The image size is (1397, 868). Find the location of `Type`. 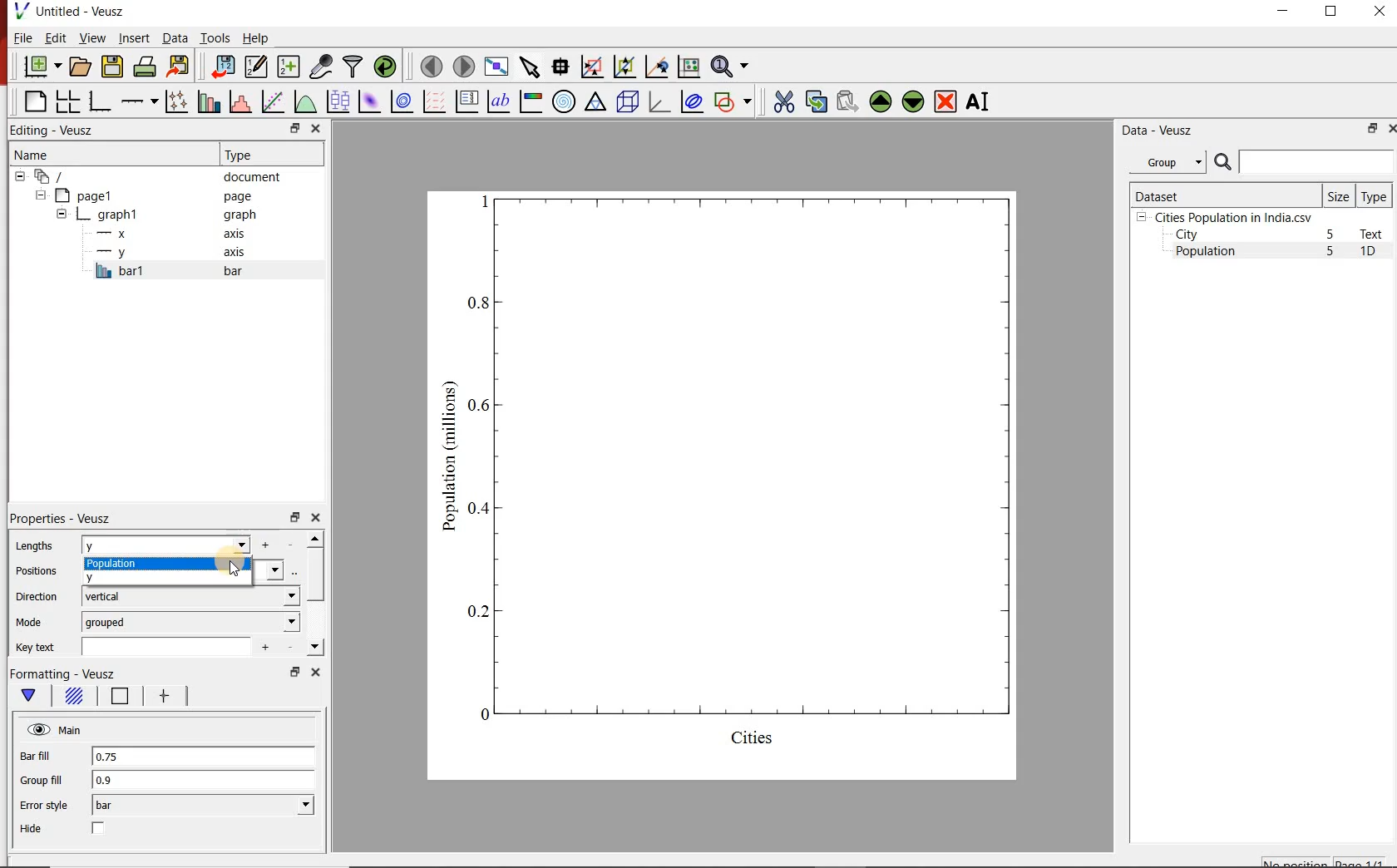

Type is located at coordinates (1375, 195).